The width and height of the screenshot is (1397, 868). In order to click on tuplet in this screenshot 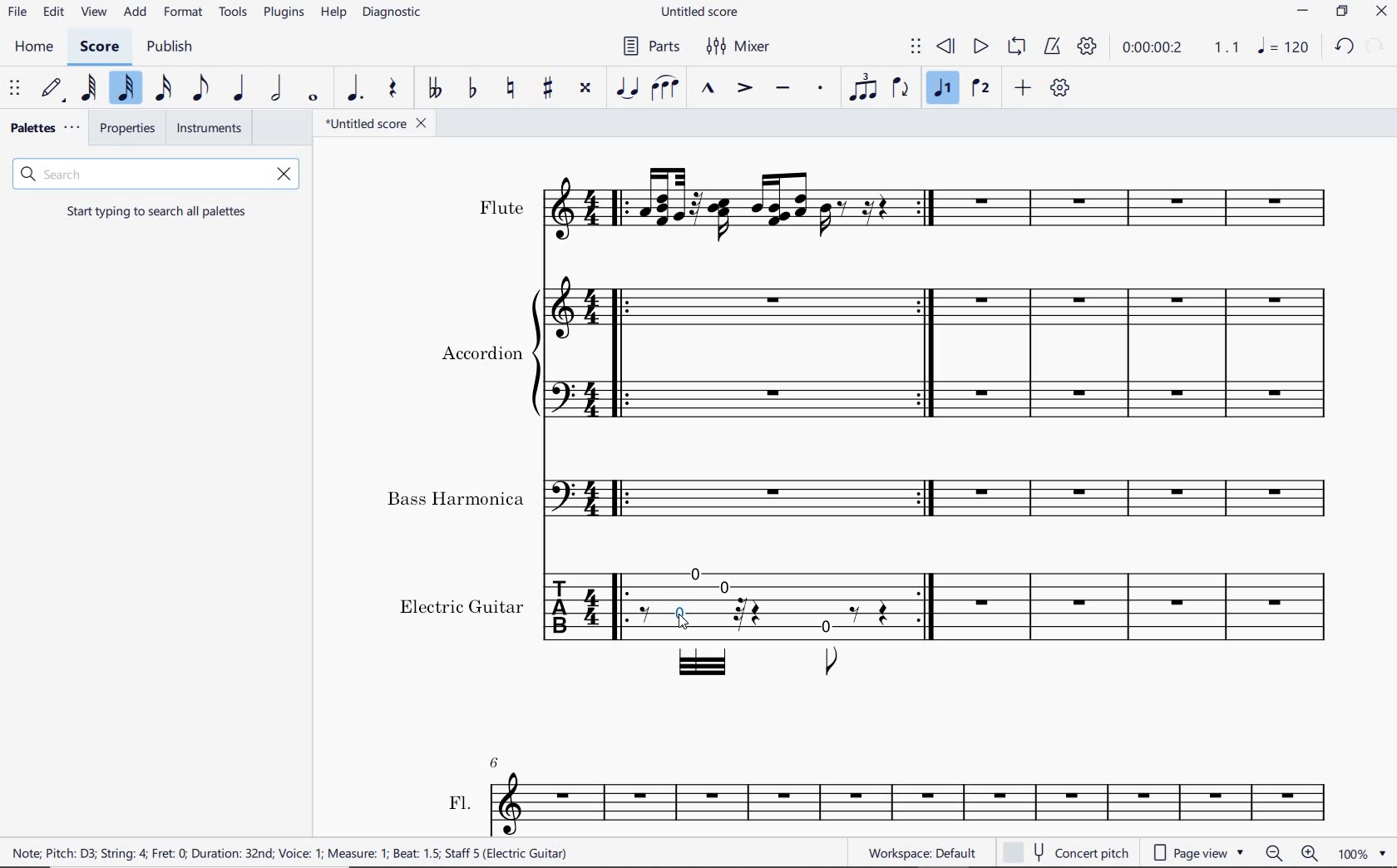, I will do `click(859, 89)`.